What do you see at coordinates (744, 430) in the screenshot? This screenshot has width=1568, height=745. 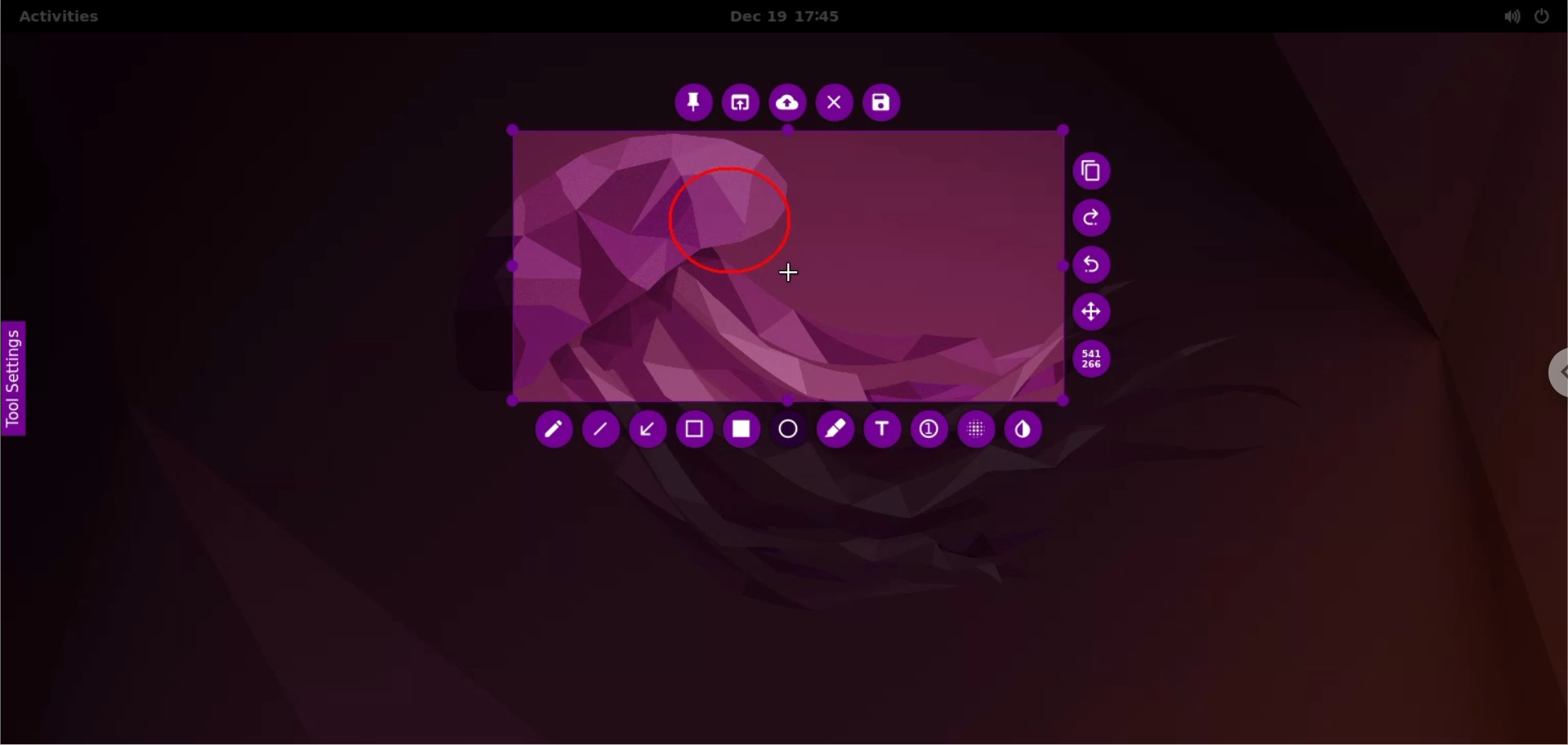 I see `rectangle tool` at bounding box center [744, 430].